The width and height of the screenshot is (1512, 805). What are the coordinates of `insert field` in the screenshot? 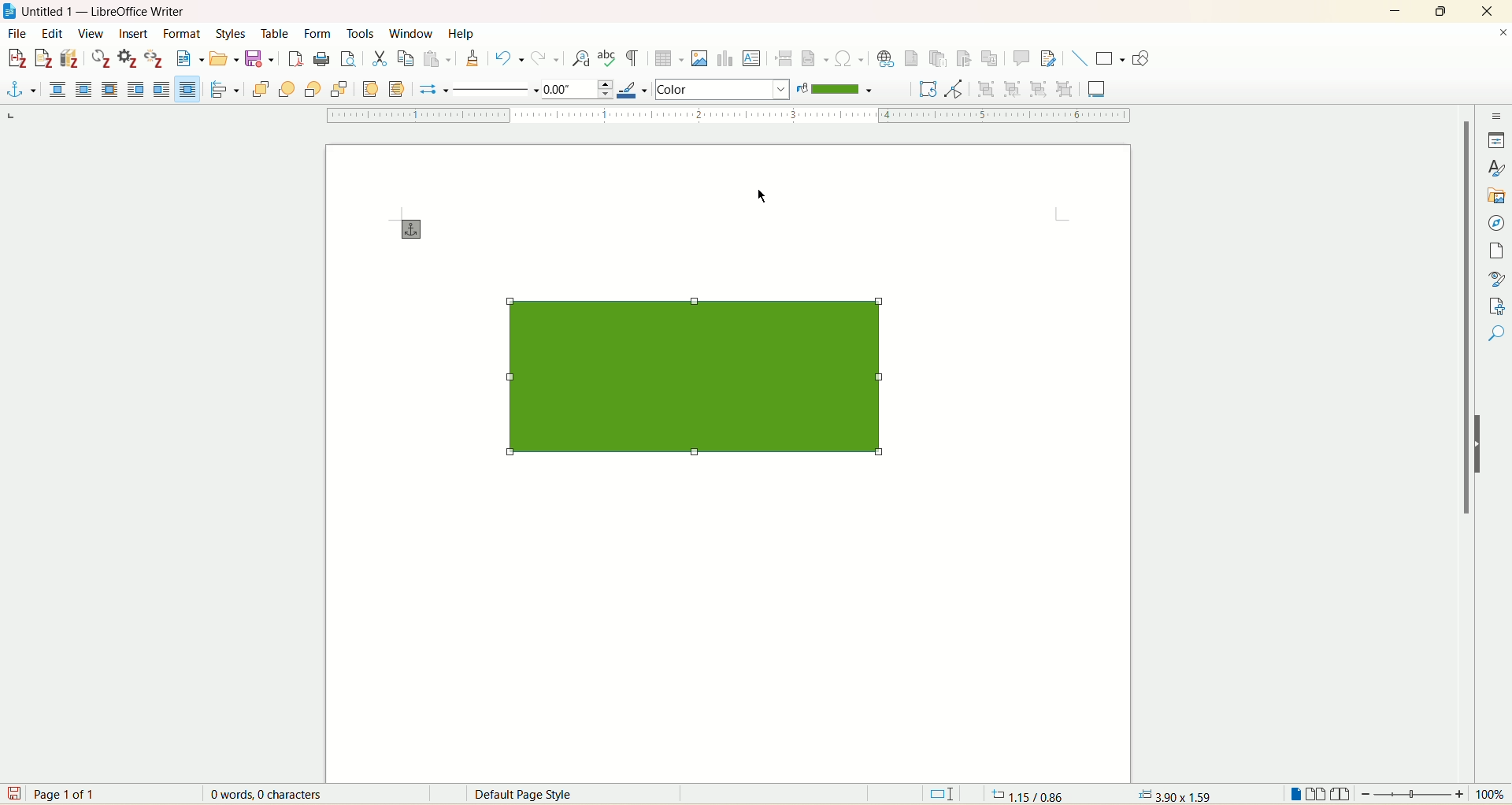 It's located at (815, 56).